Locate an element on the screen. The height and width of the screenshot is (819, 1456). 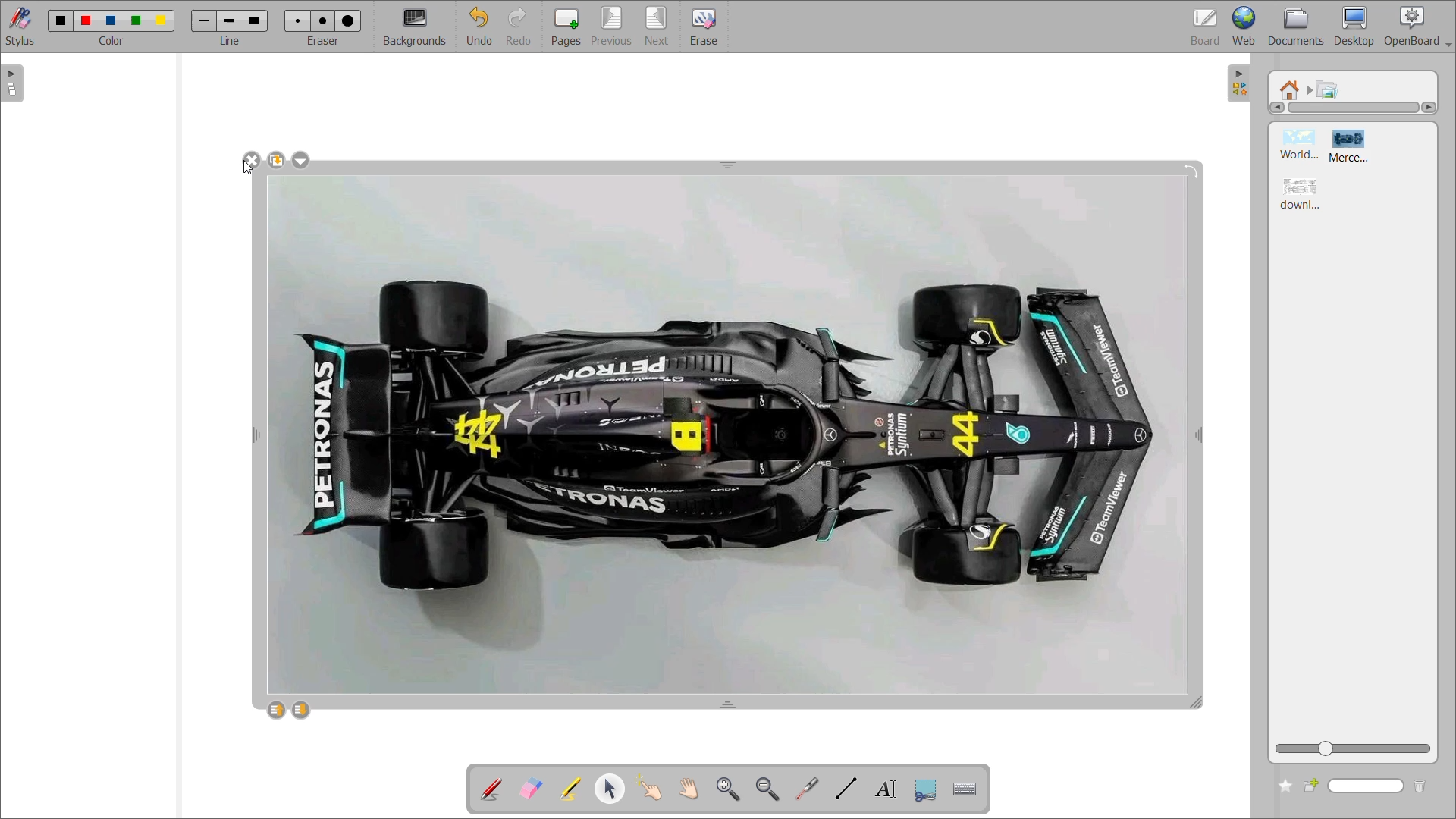
eraser 3 is located at coordinates (348, 23).